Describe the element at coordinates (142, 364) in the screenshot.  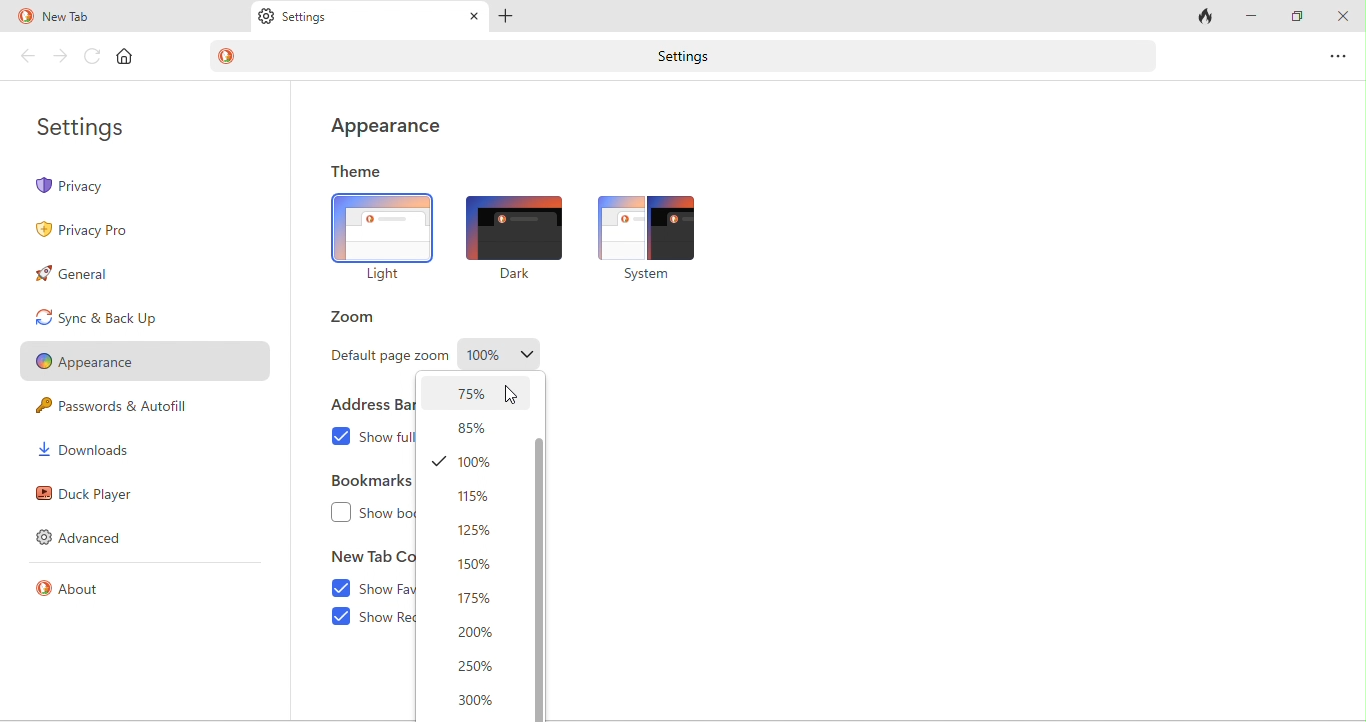
I see `appearance` at that location.